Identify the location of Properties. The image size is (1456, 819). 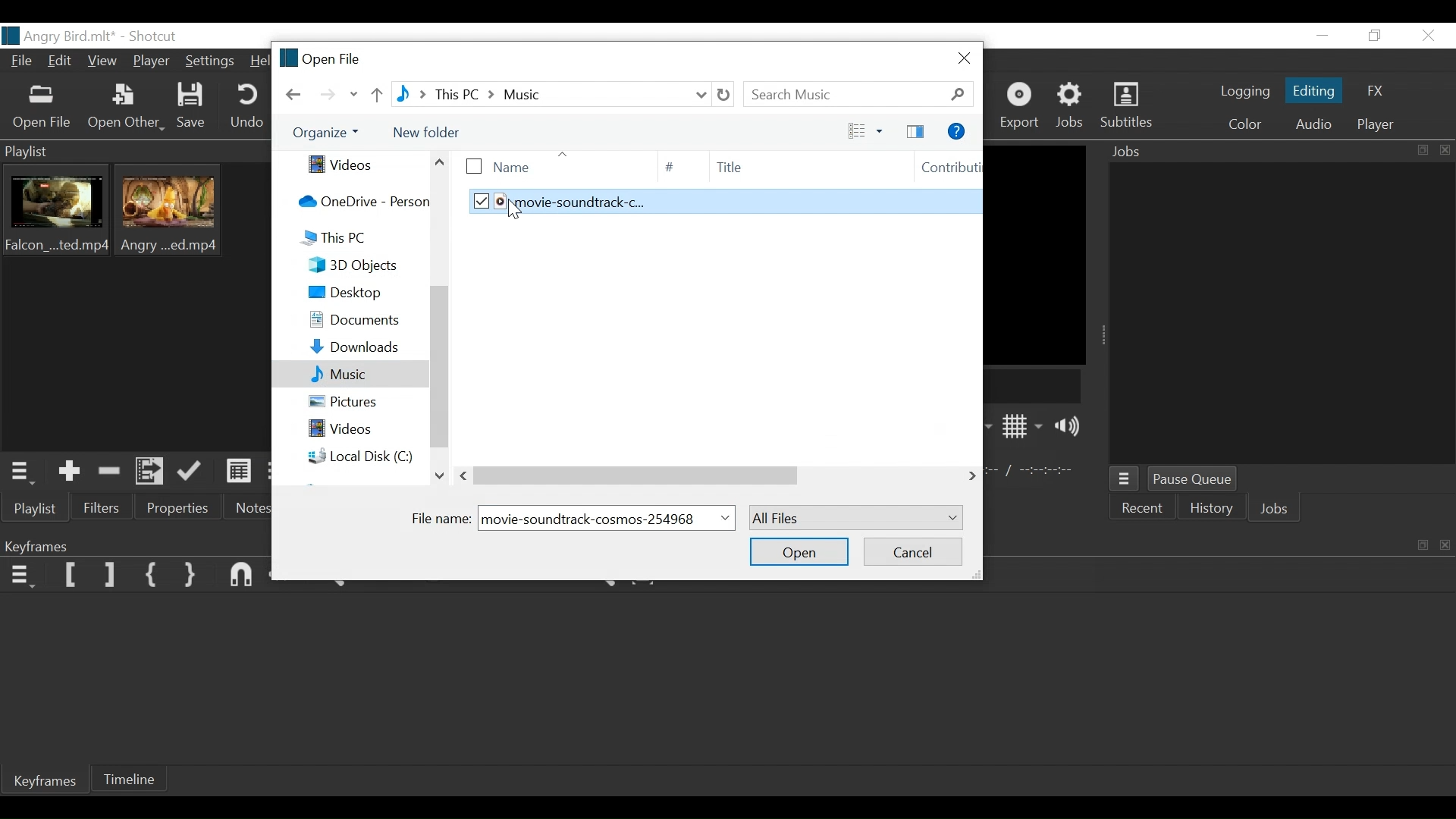
(172, 508).